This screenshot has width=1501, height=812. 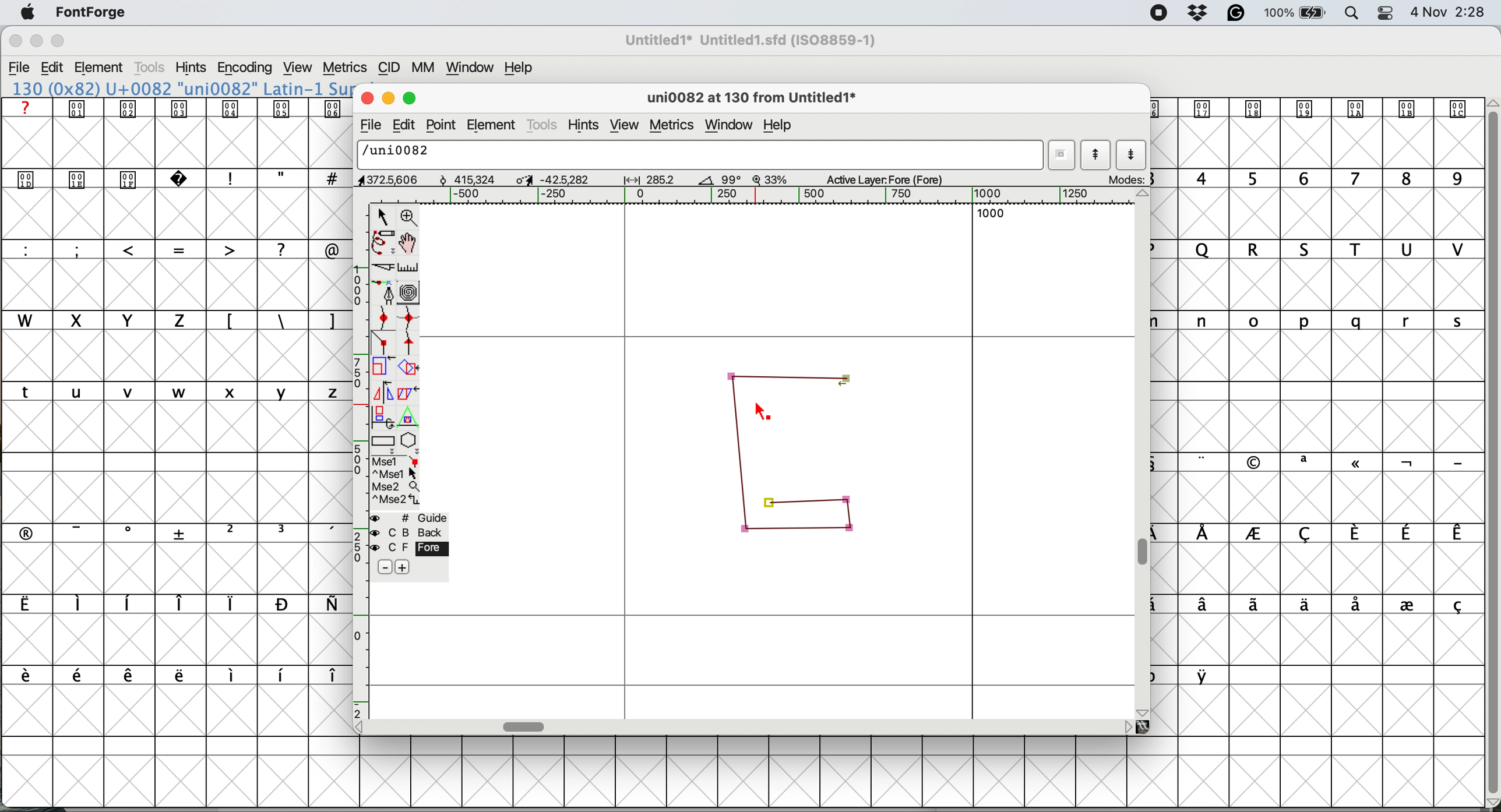 I want to click on symbols and special characters, so click(x=185, y=180).